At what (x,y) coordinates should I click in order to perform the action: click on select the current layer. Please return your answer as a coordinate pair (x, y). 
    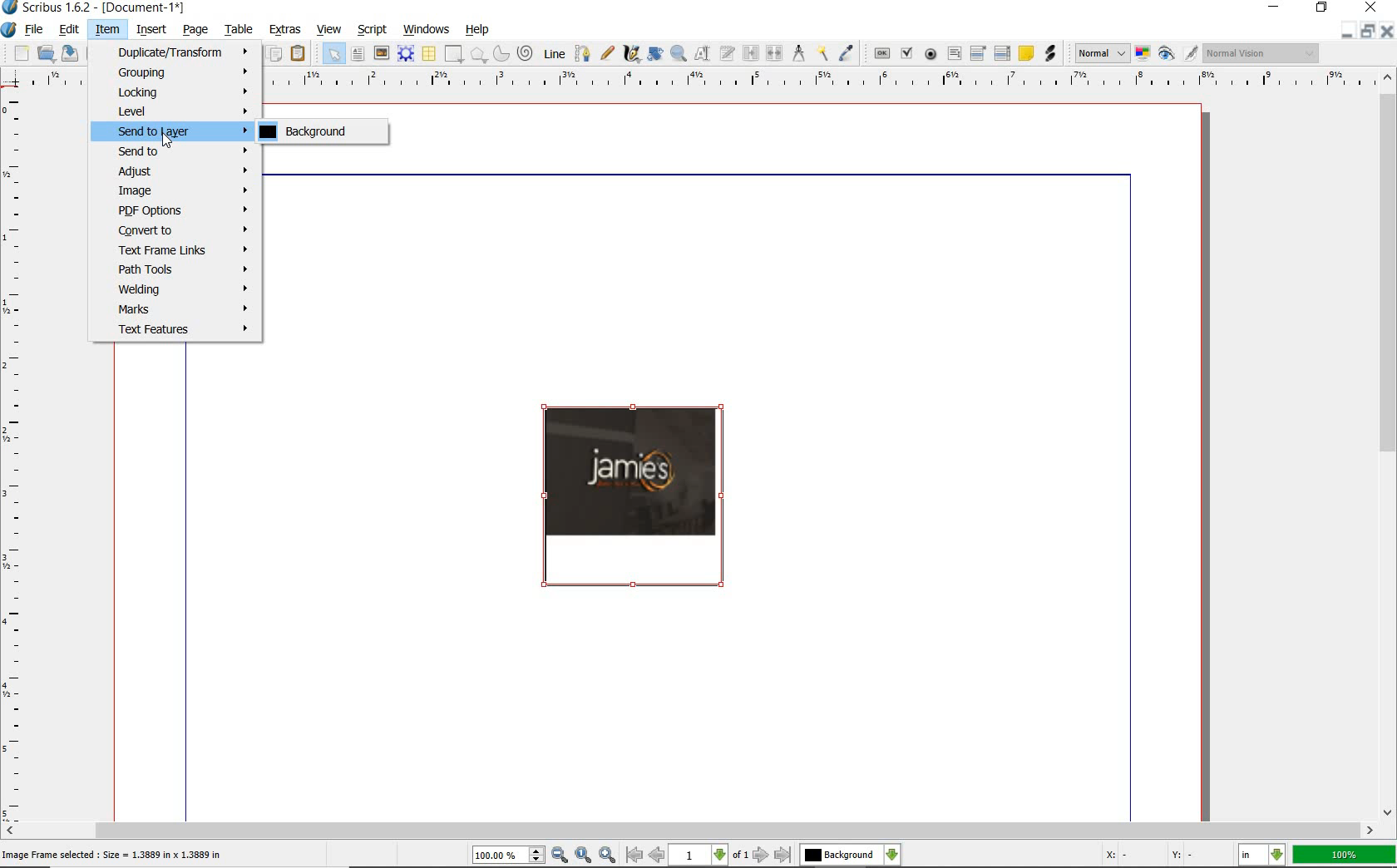
    Looking at the image, I should click on (849, 855).